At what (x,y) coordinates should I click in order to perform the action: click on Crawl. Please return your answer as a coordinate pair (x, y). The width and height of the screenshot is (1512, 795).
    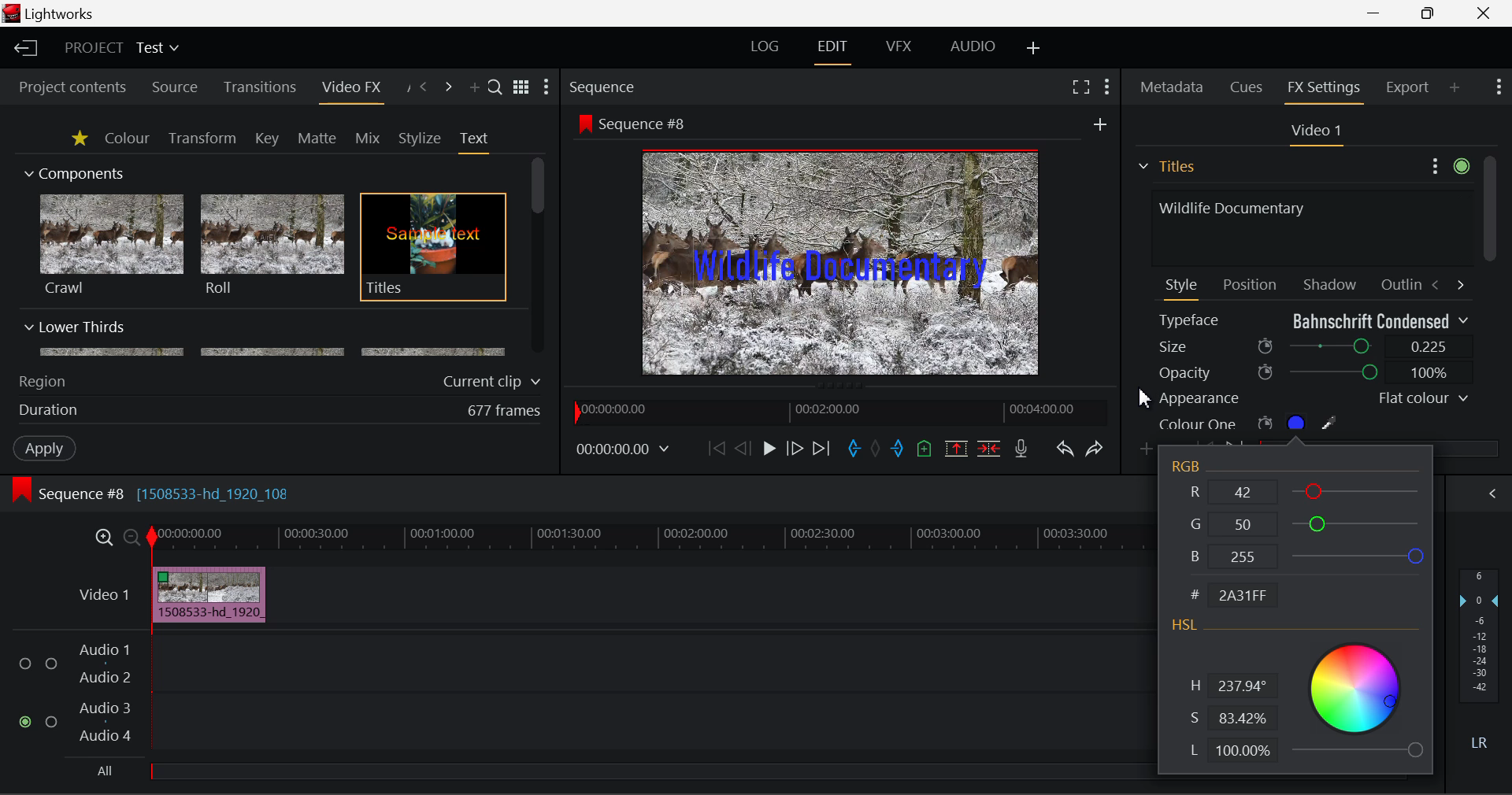
    Looking at the image, I should click on (112, 245).